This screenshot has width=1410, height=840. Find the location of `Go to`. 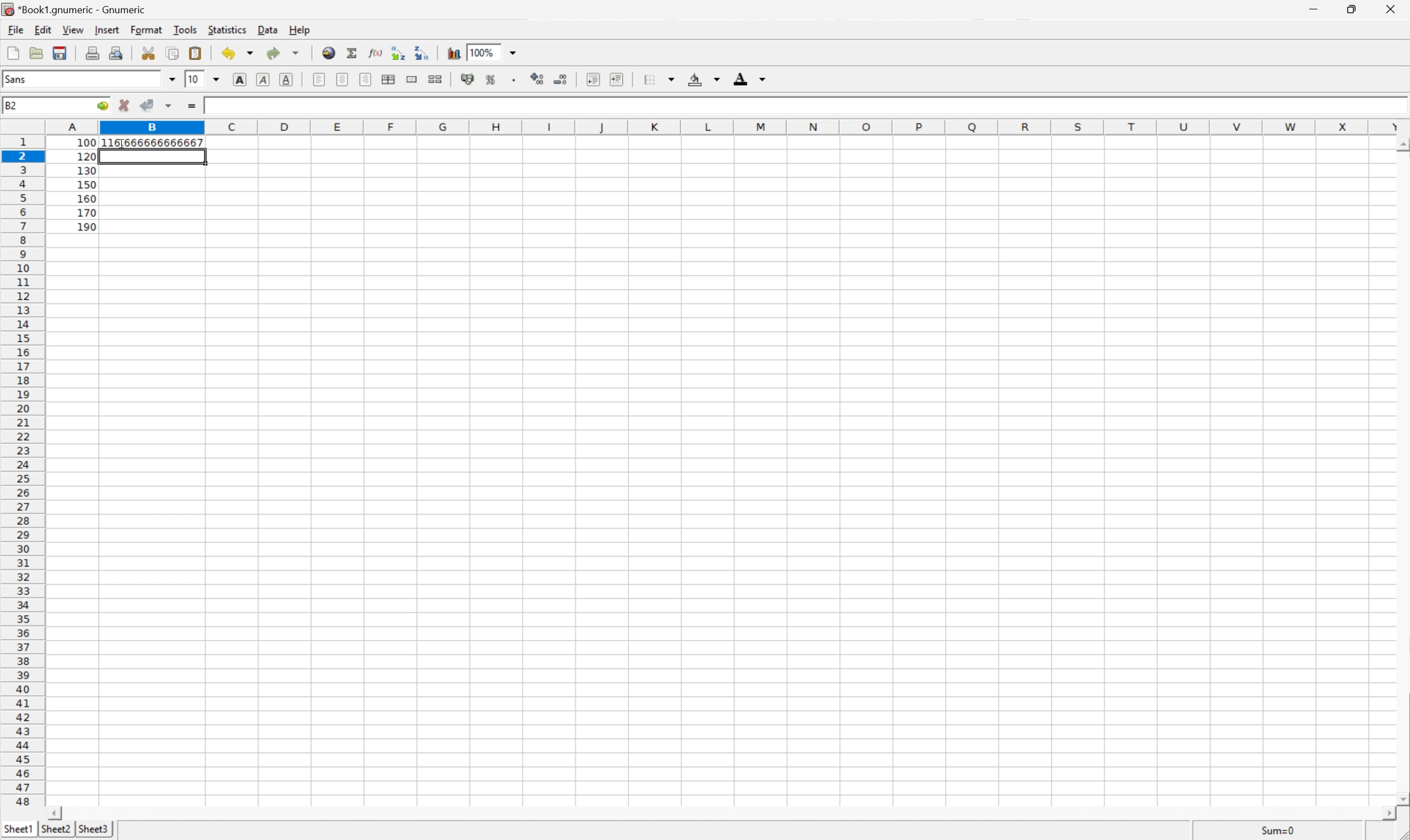

Go to is located at coordinates (103, 106).